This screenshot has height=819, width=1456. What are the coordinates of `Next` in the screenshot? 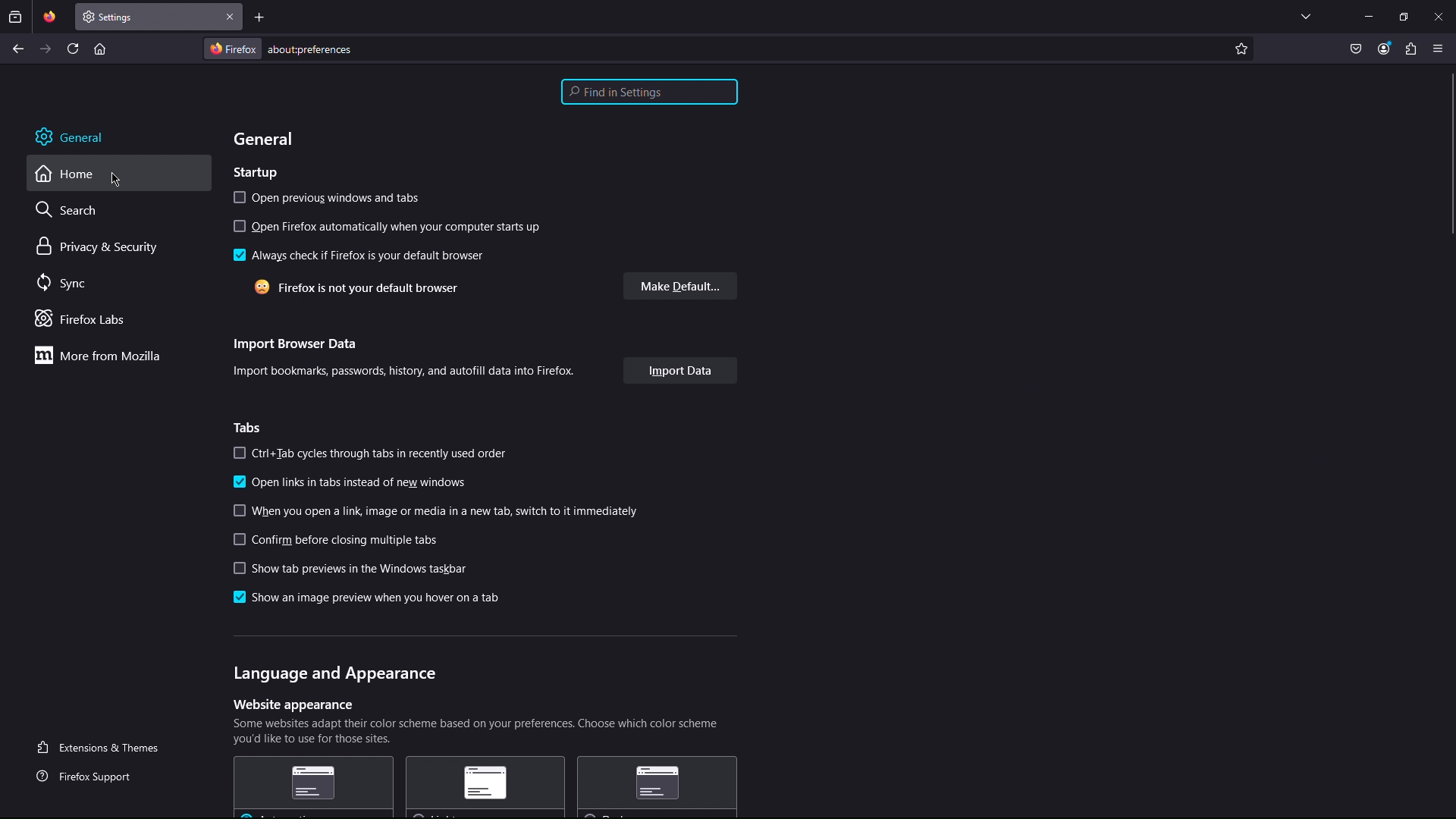 It's located at (46, 49).